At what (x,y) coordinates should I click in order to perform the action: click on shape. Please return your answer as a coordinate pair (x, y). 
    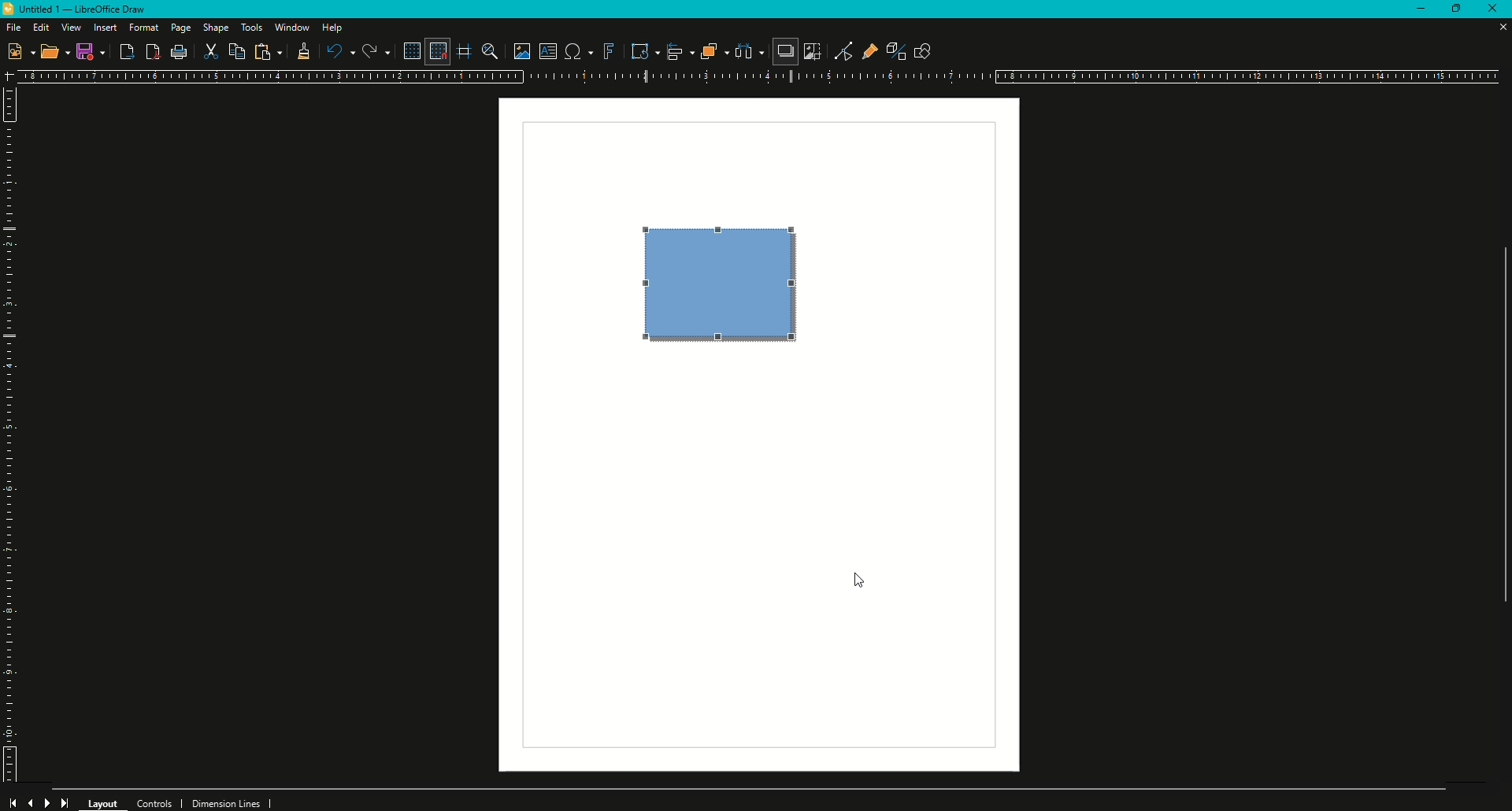
    Looking at the image, I should click on (721, 283).